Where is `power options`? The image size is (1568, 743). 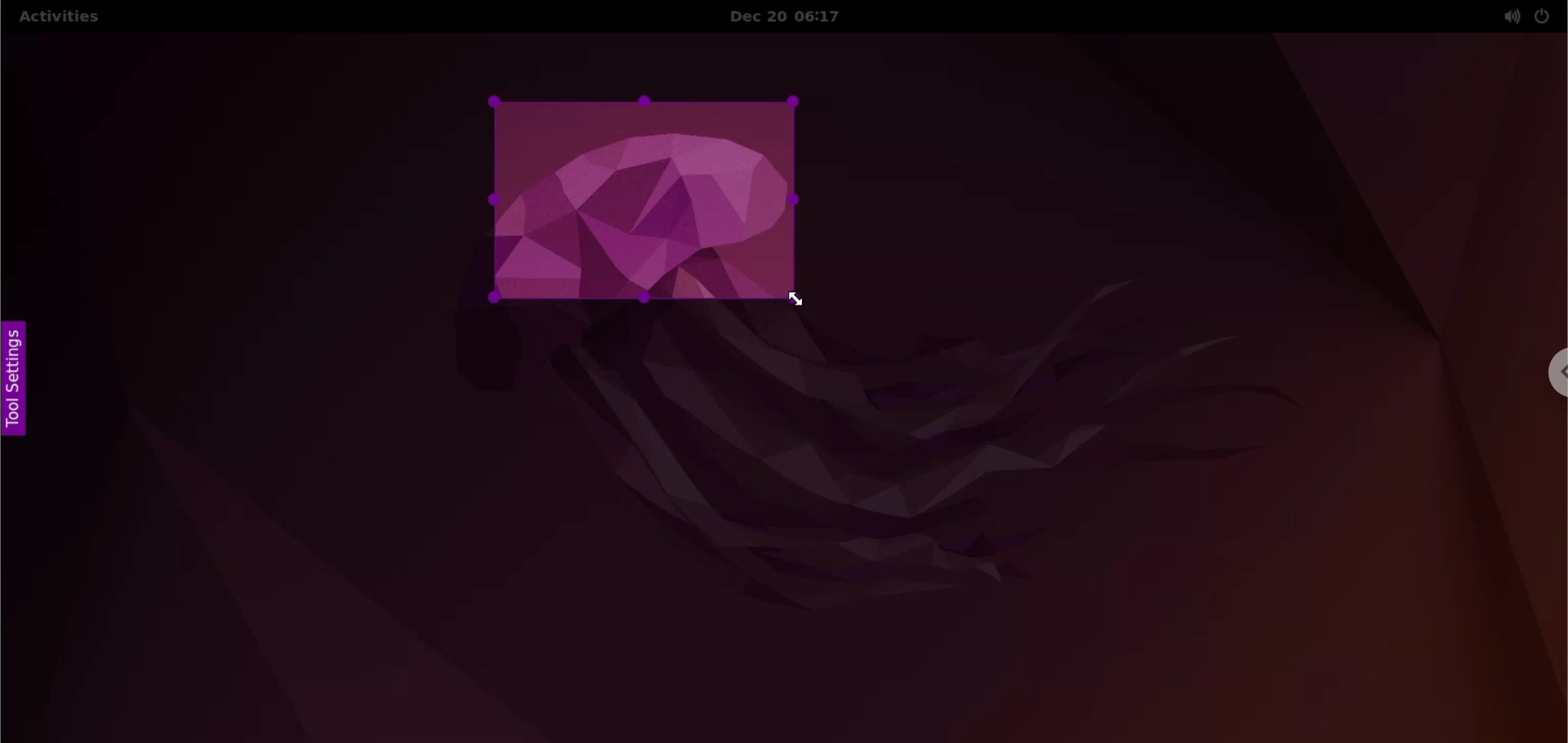 power options is located at coordinates (1543, 16).